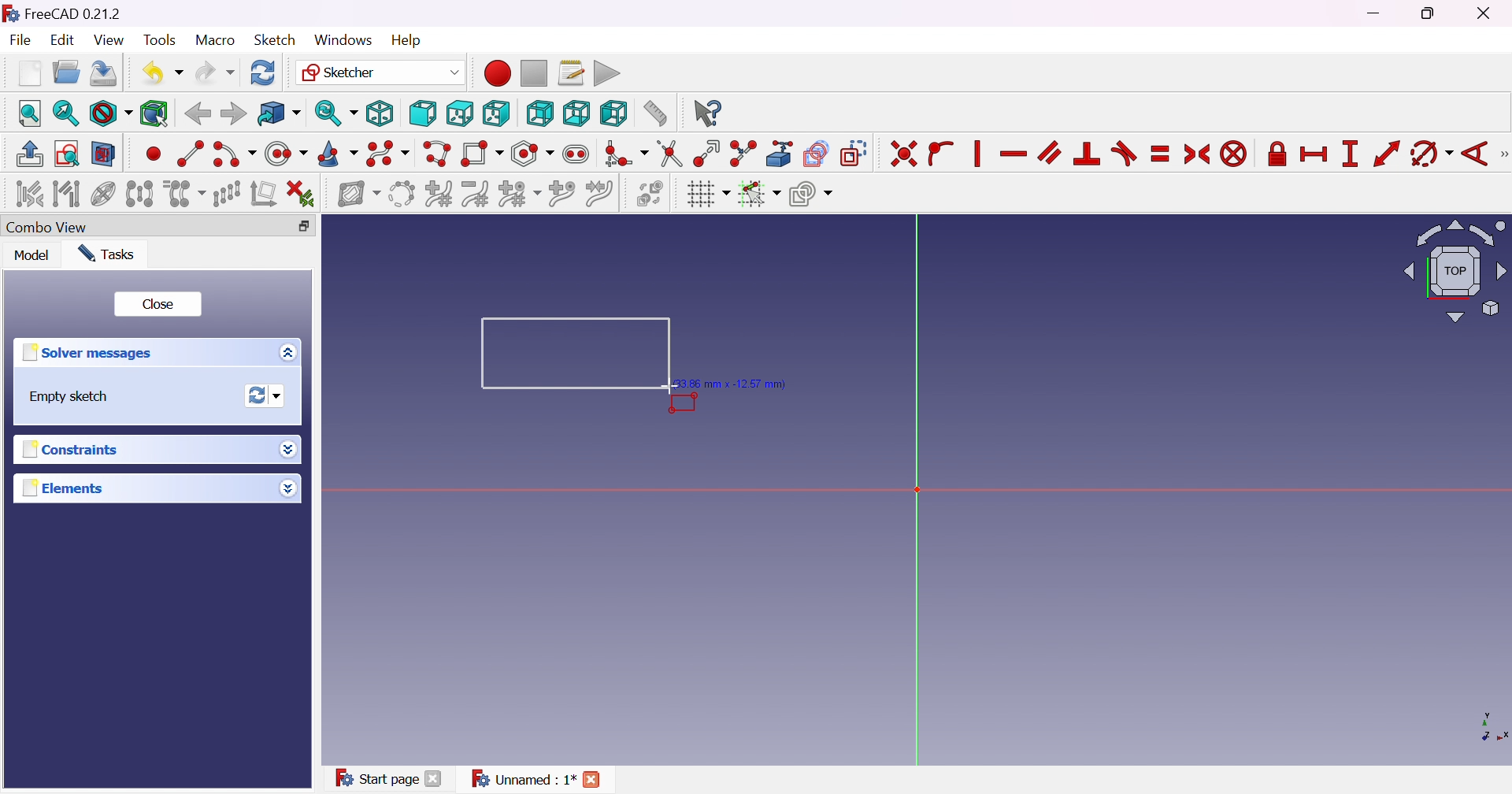 This screenshot has width=1512, height=794. I want to click on Sketch, so click(275, 39).